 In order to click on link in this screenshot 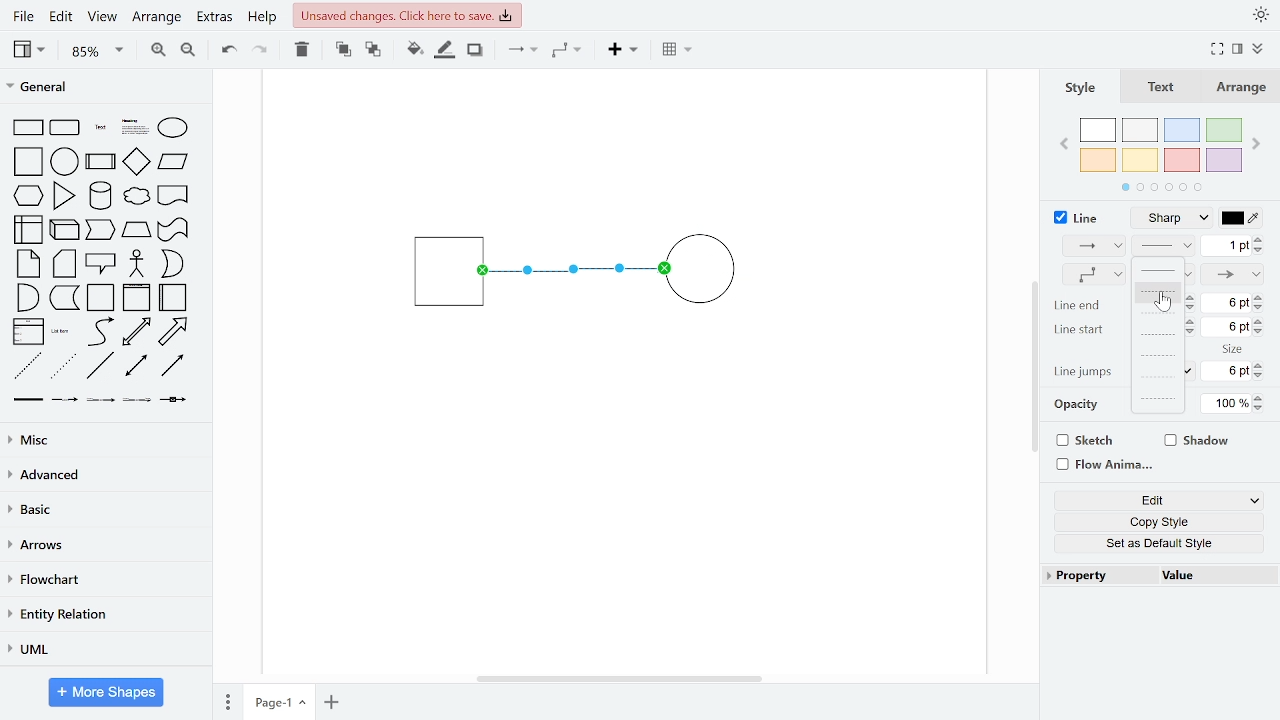, I will do `click(27, 400)`.